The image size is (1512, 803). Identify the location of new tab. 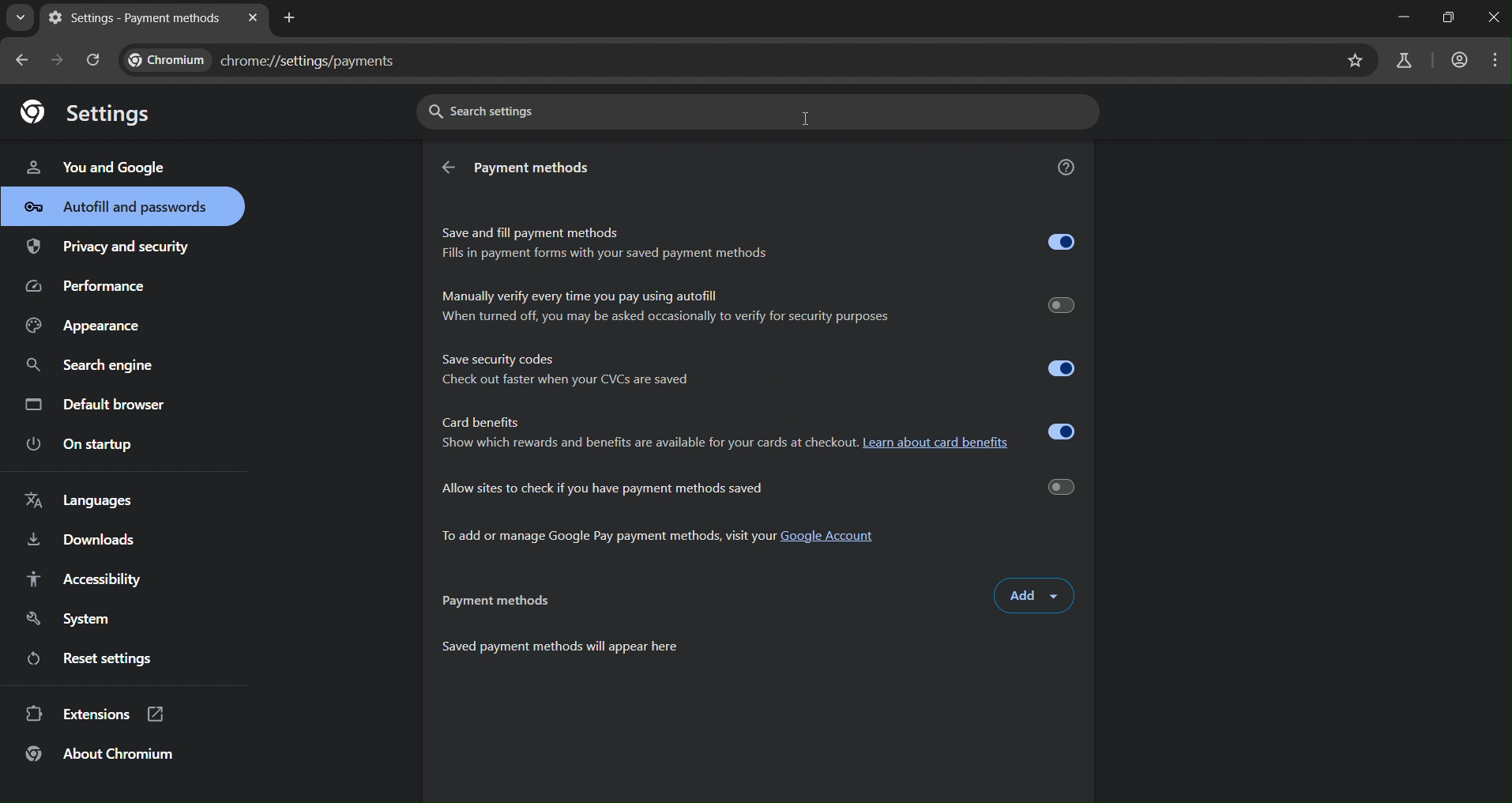
(292, 17).